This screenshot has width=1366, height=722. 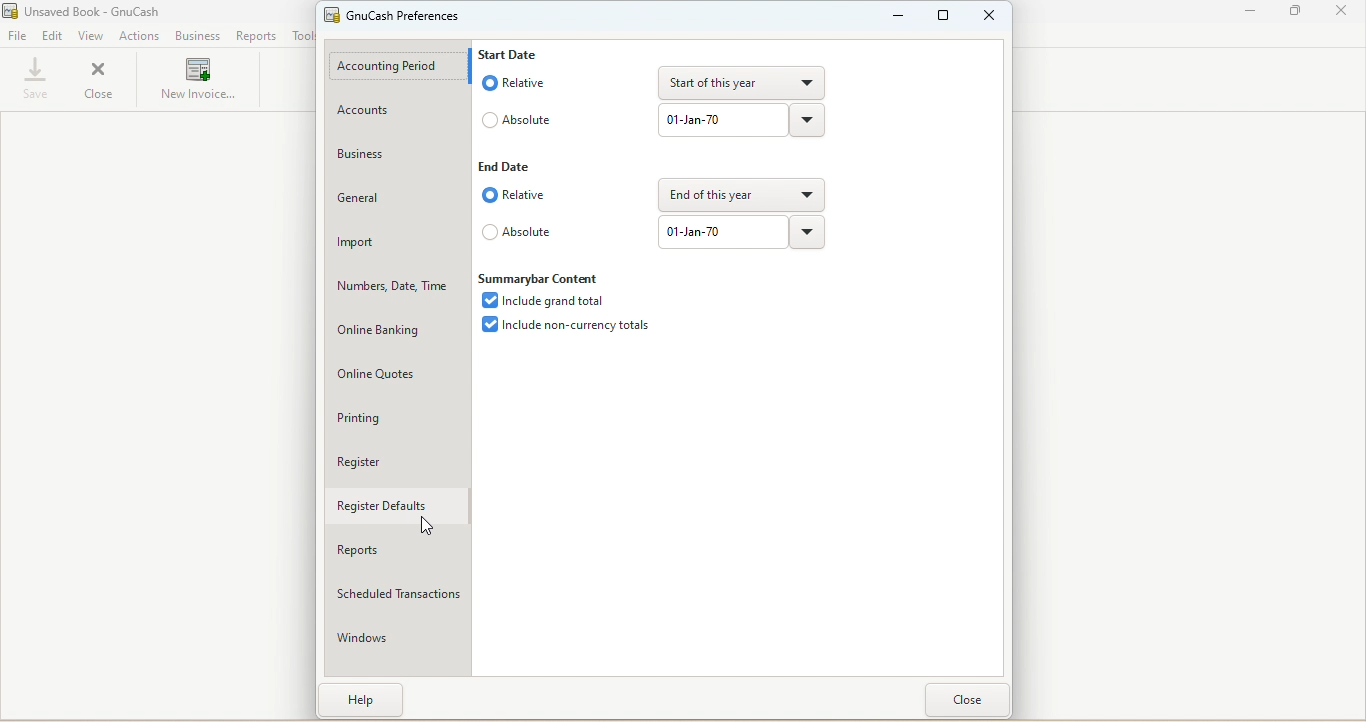 What do you see at coordinates (256, 37) in the screenshot?
I see `Reports` at bounding box center [256, 37].